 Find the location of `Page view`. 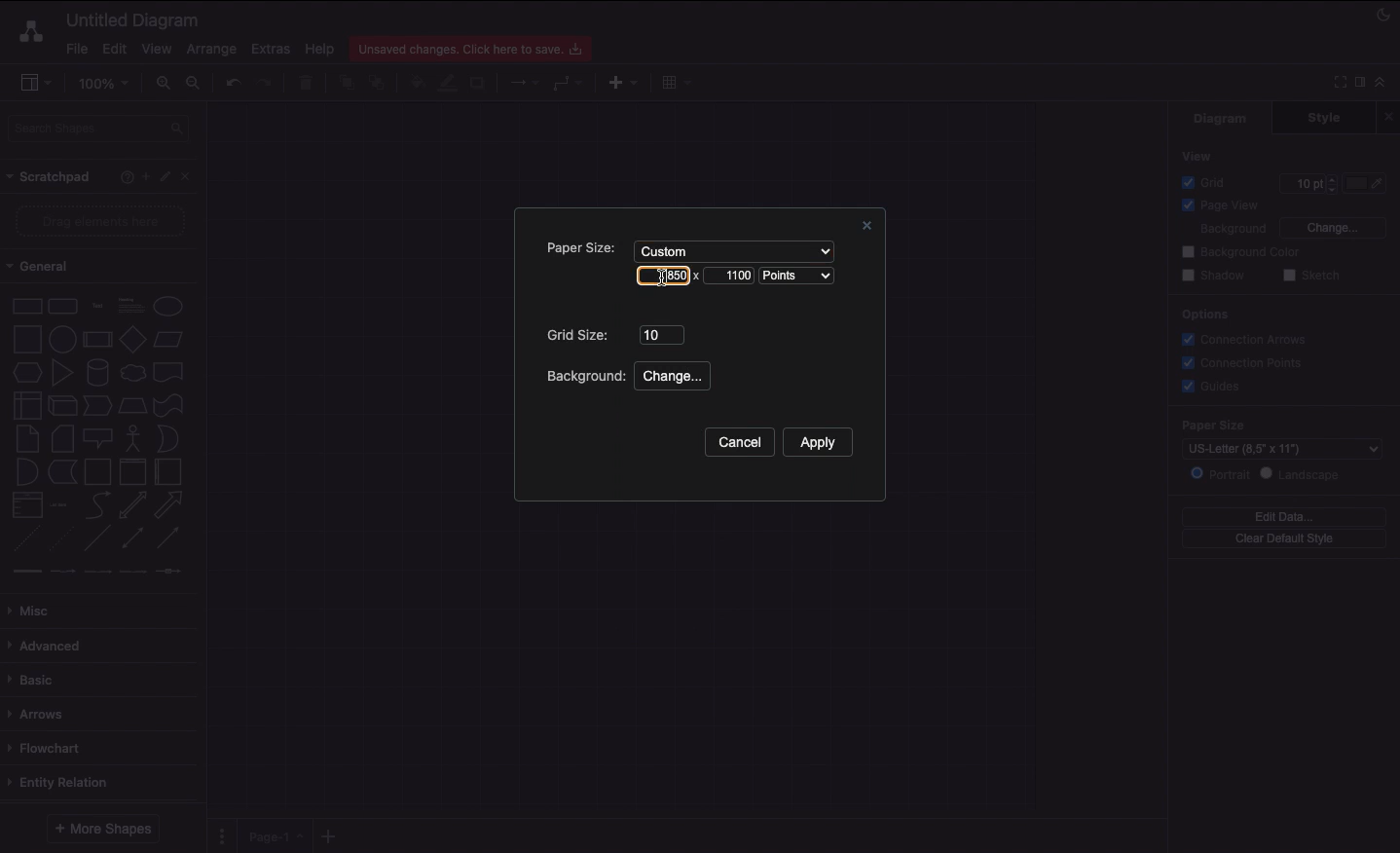

Page view is located at coordinates (1217, 206).